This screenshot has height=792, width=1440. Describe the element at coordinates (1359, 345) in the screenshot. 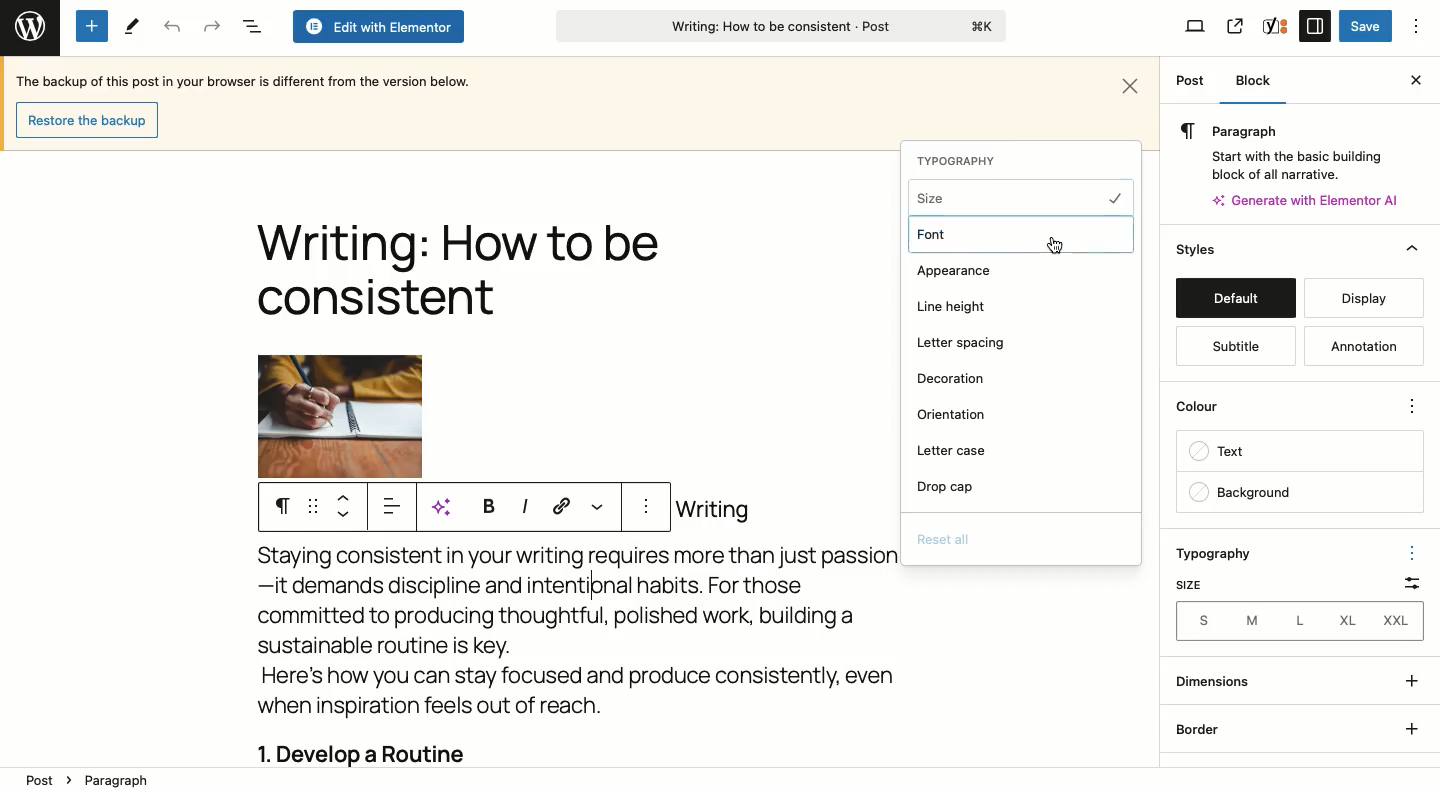

I see `Annotation` at that location.